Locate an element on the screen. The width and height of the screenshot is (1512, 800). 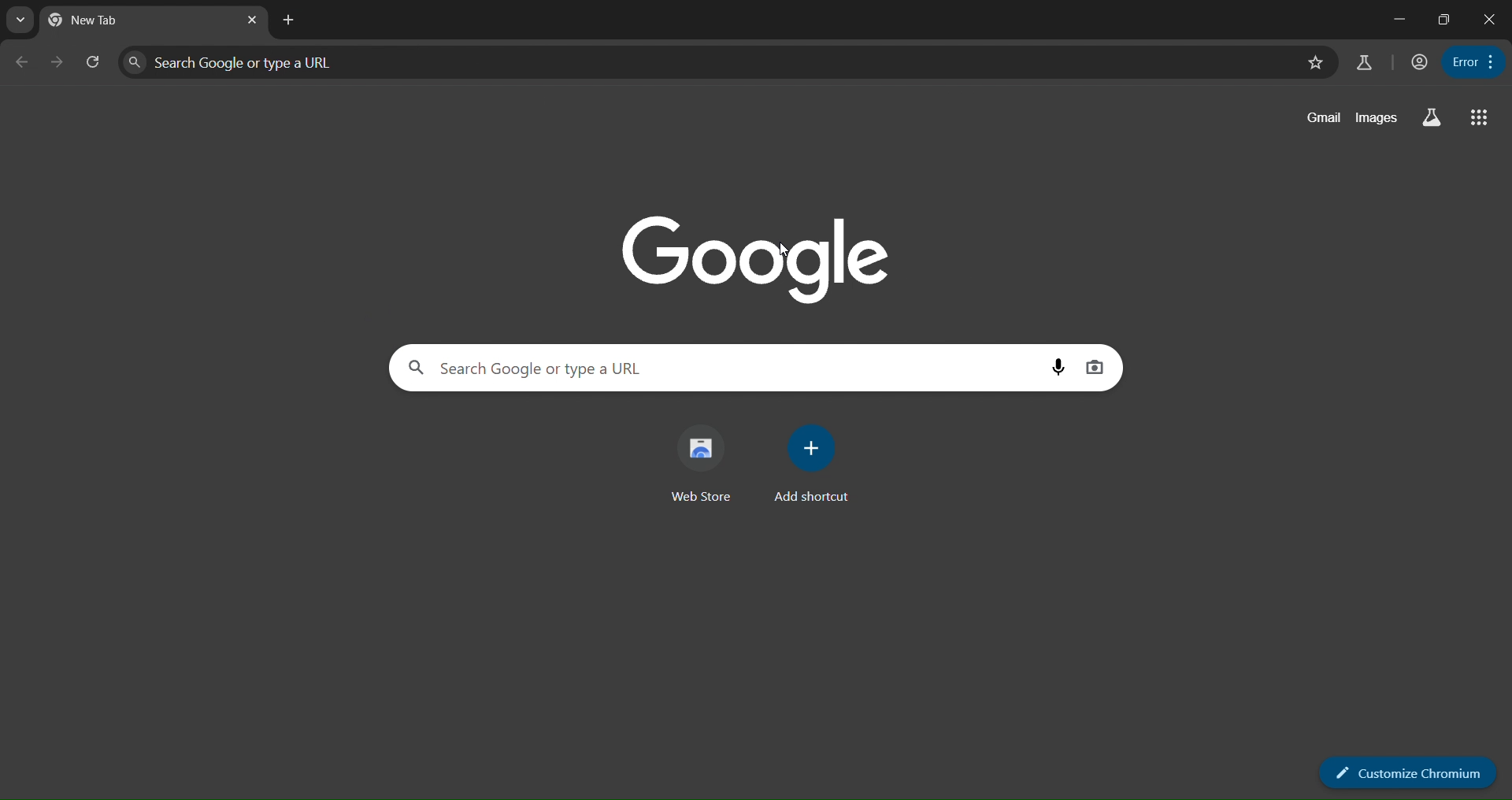
search tabs is located at coordinates (20, 22).